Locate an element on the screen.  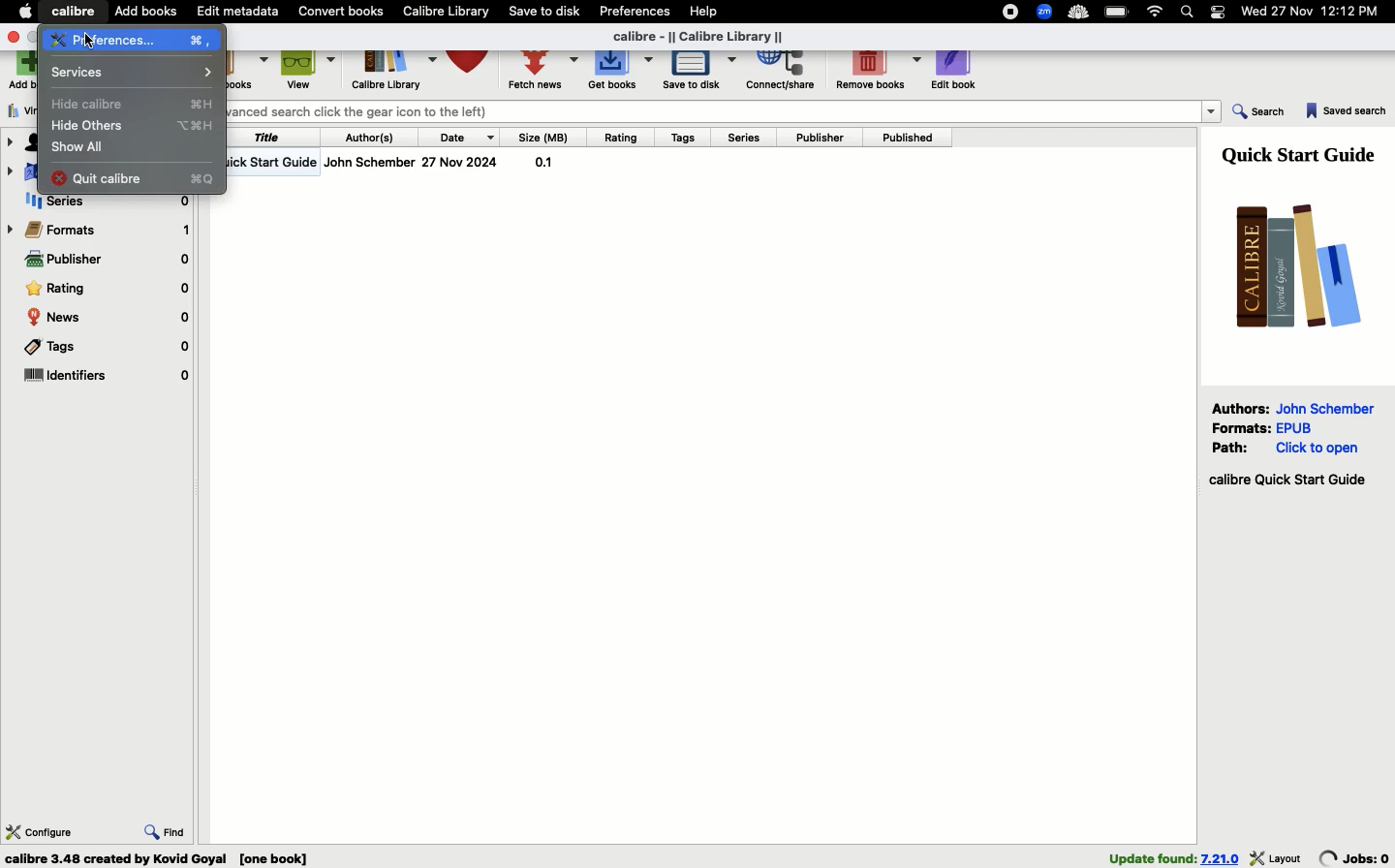
Remove books is located at coordinates (880, 72).